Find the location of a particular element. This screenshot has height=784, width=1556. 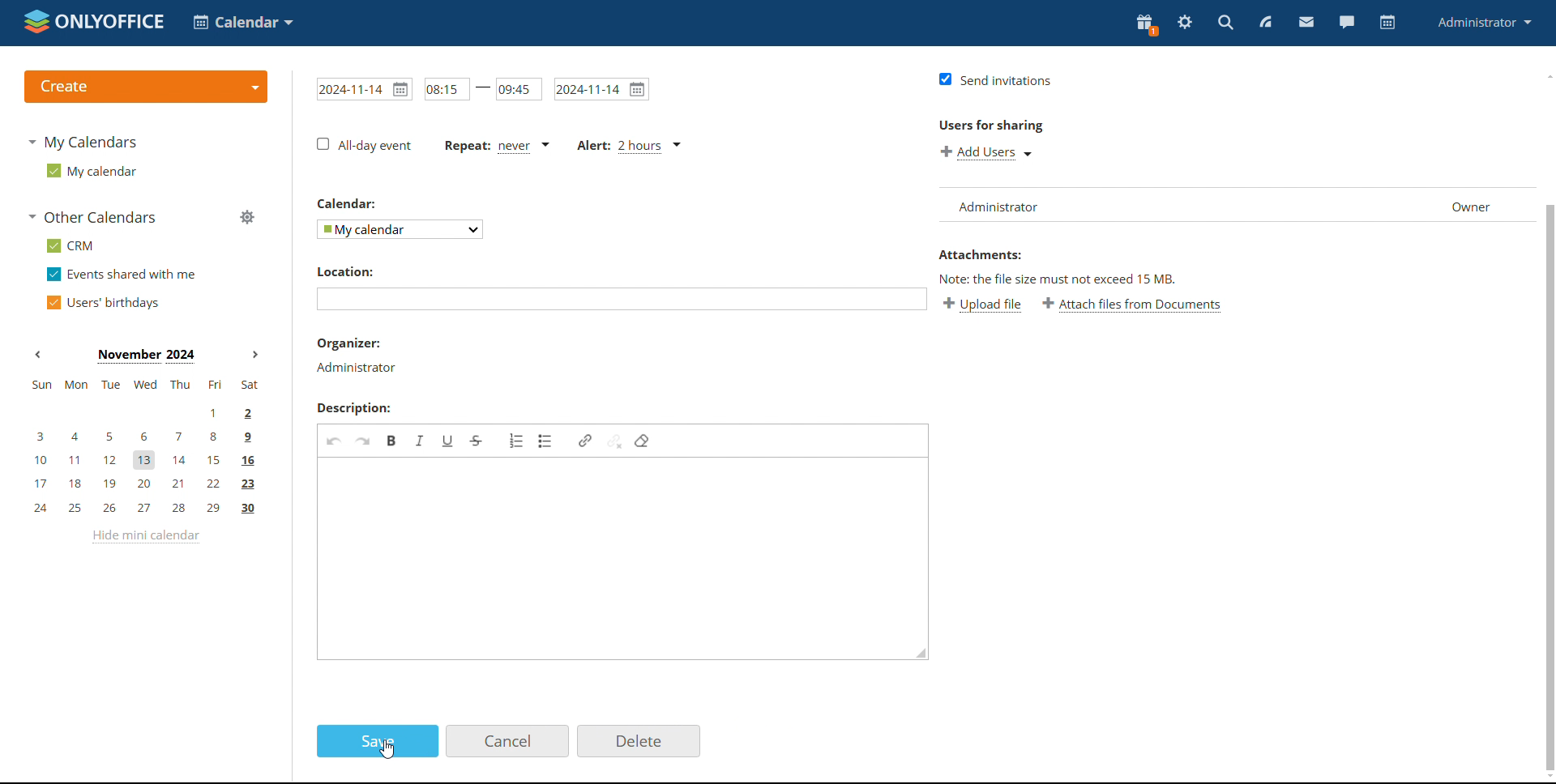

chat is located at coordinates (1346, 21).